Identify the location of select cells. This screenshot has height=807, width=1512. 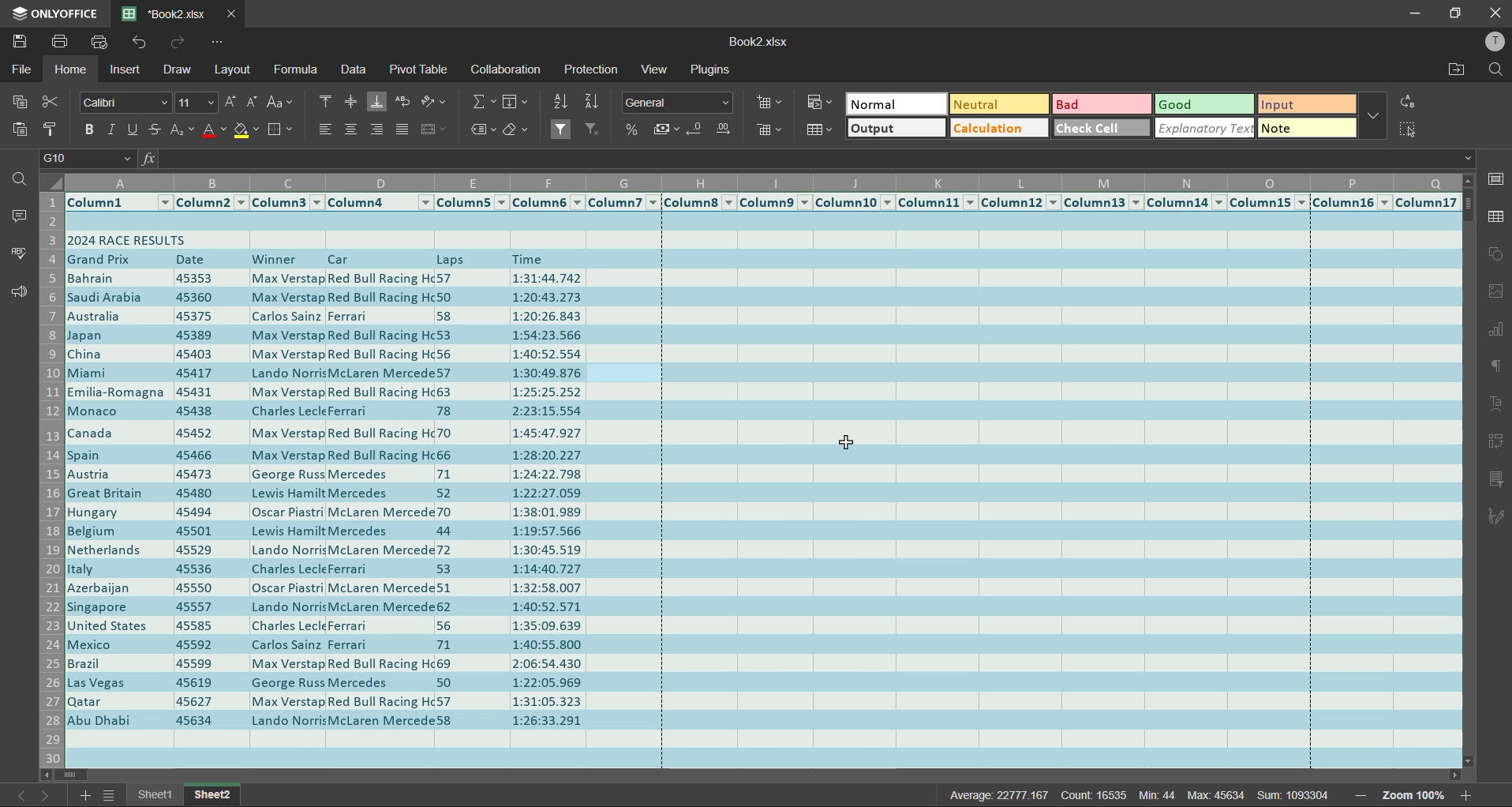
(1408, 133).